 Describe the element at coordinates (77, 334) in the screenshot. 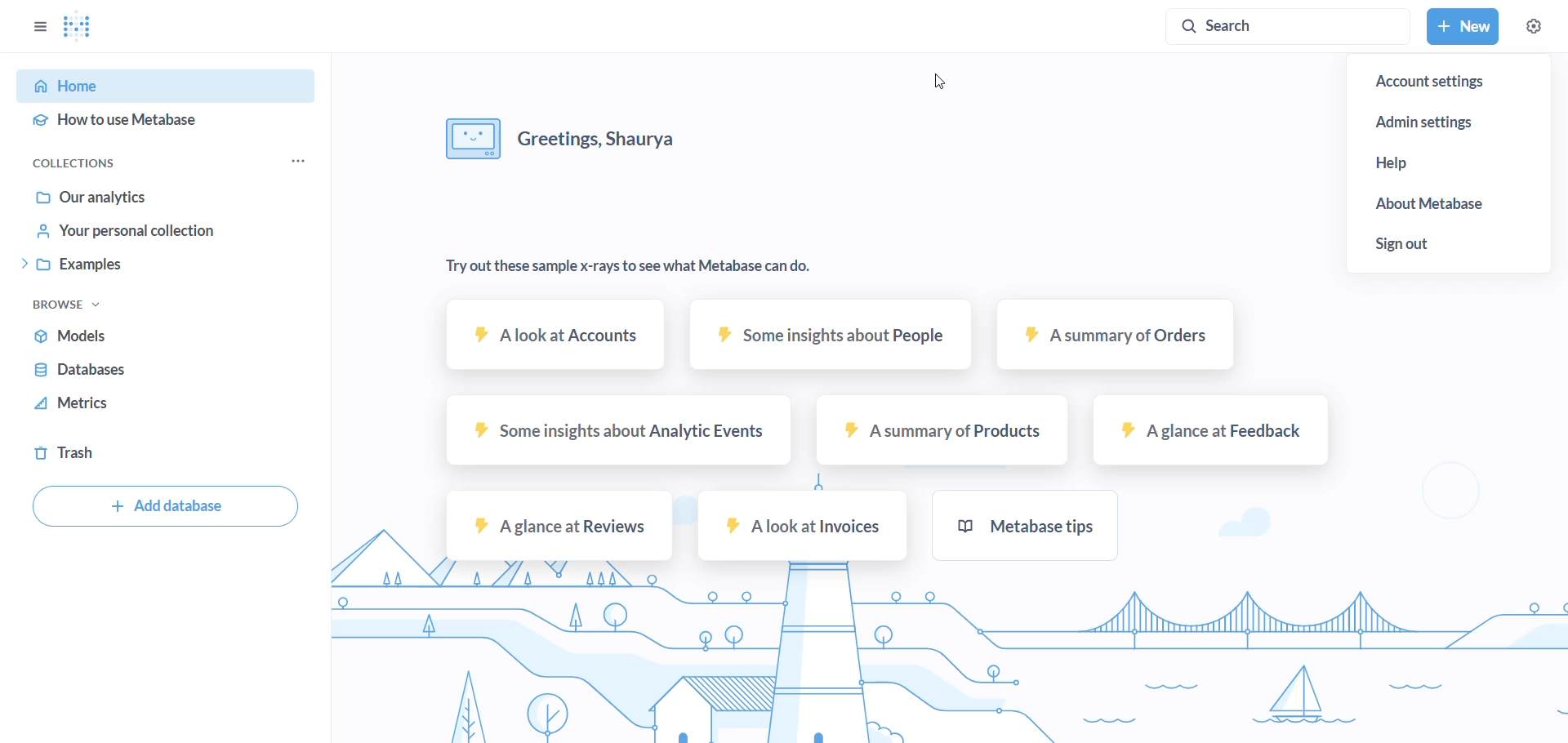

I see `models` at that location.